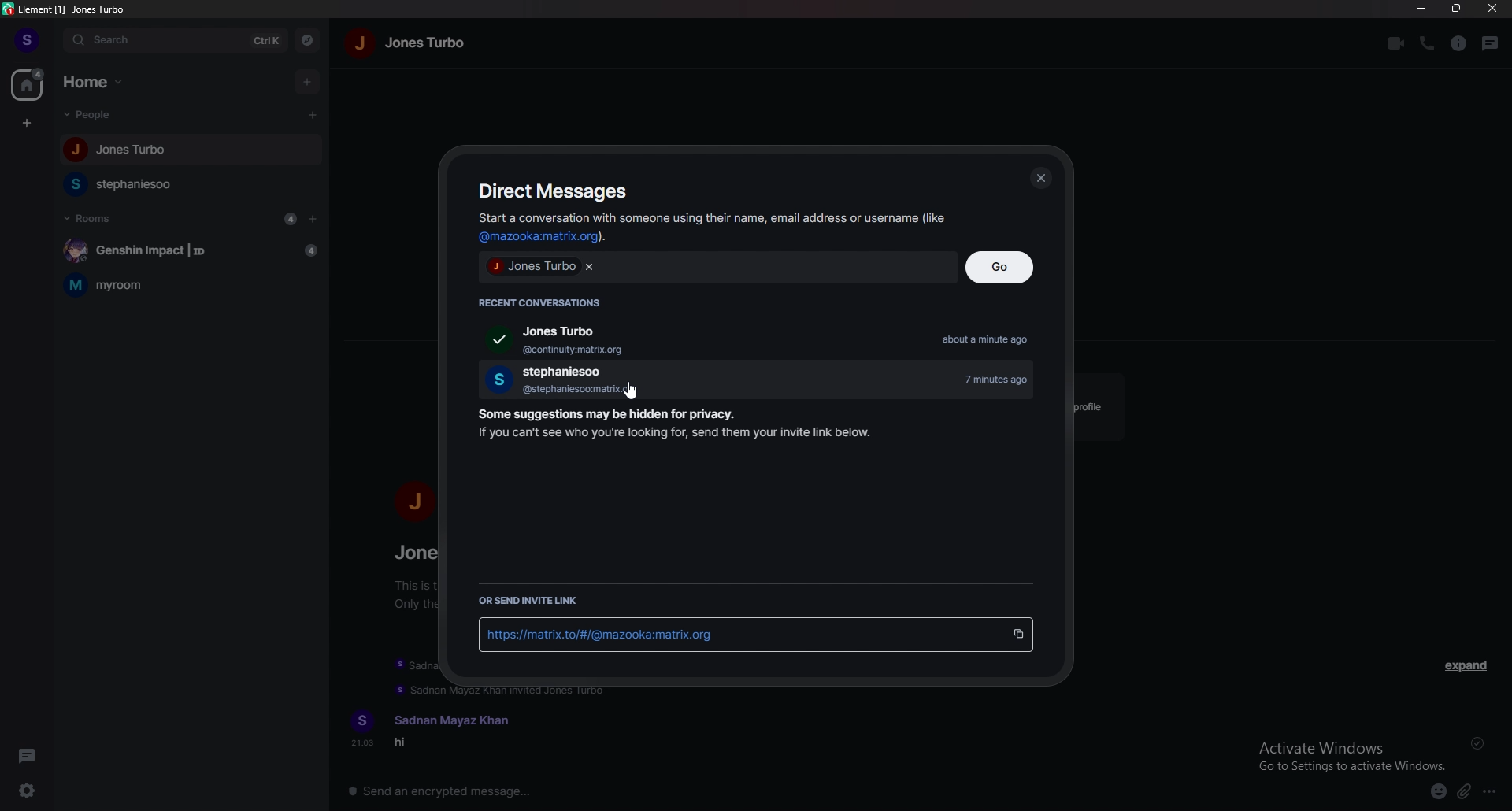 This screenshot has width=1512, height=811. What do you see at coordinates (1490, 792) in the screenshot?
I see `more options` at bounding box center [1490, 792].